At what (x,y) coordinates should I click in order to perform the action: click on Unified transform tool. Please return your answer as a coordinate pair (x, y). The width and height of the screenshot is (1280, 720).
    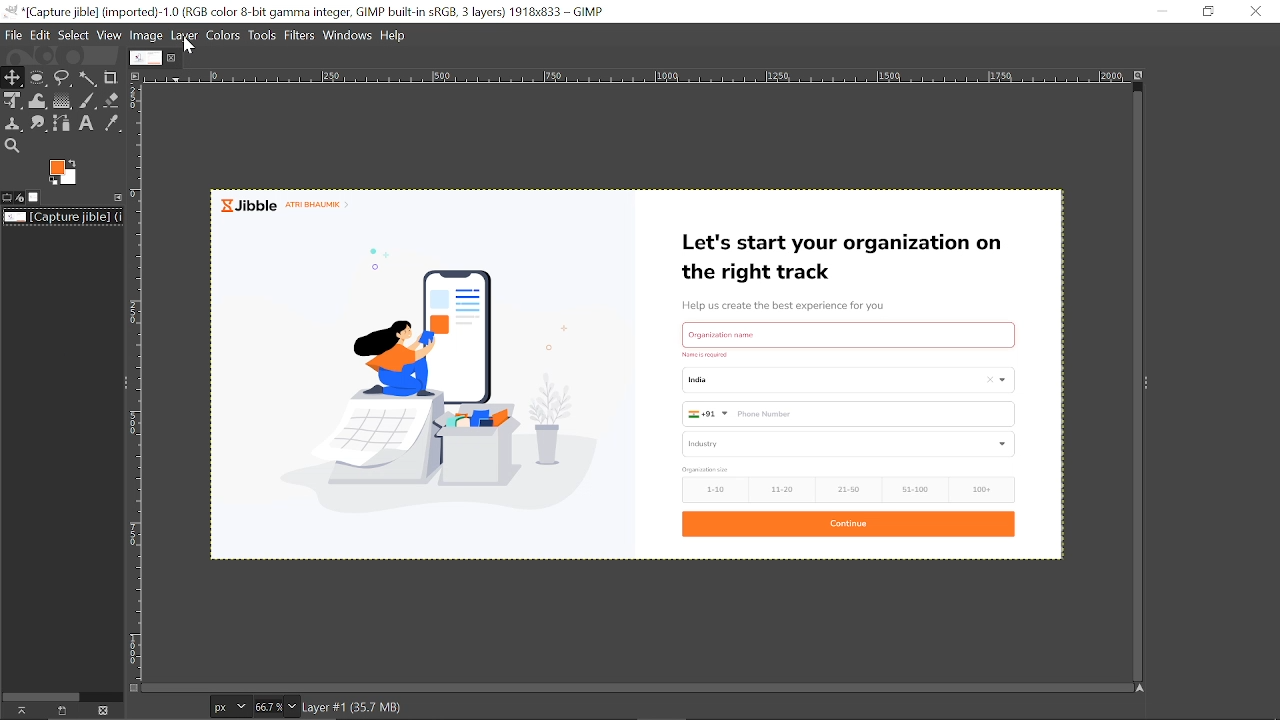
    Looking at the image, I should click on (12, 101).